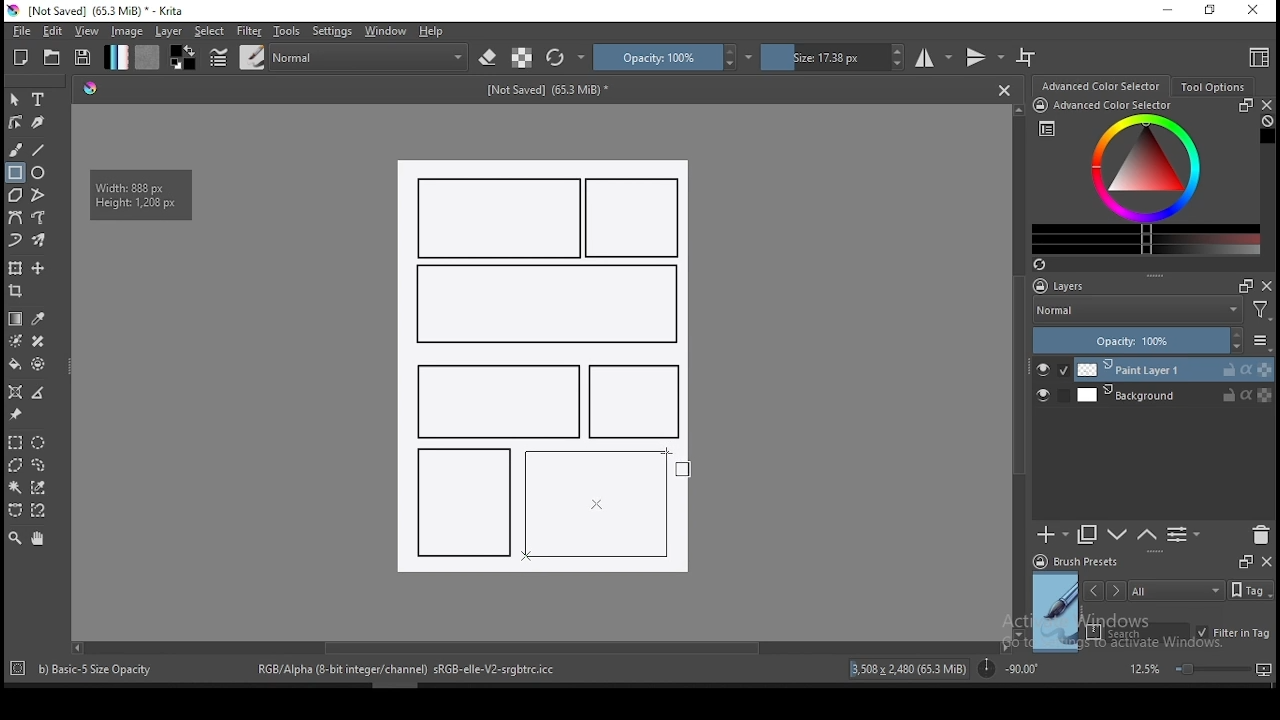  What do you see at coordinates (36, 539) in the screenshot?
I see `pan tool` at bounding box center [36, 539].